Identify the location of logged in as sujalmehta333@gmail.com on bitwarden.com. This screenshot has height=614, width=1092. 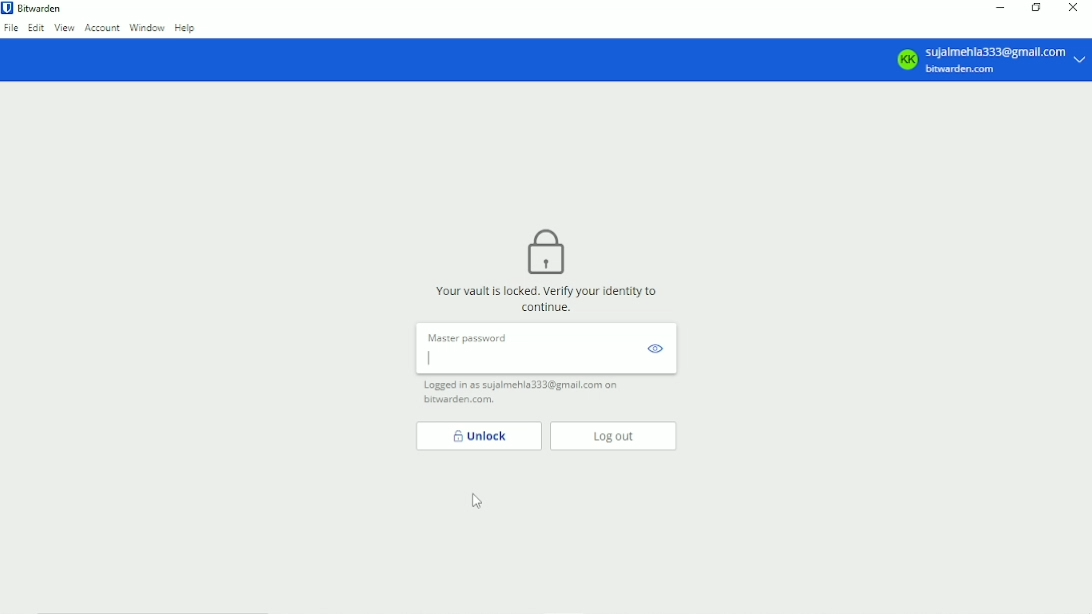
(527, 393).